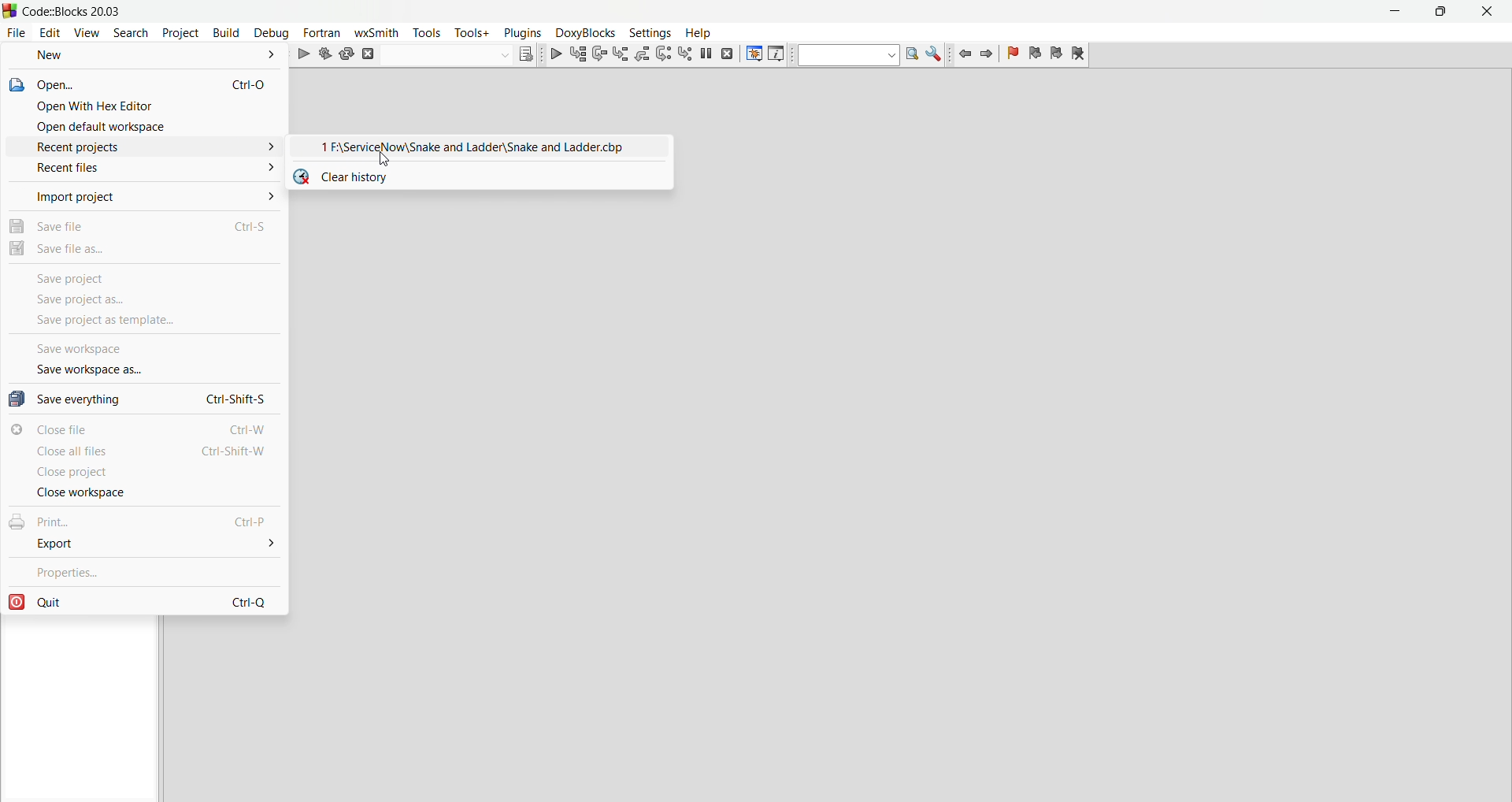 The height and width of the screenshot is (802, 1512). What do you see at coordinates (848, 55) in the screenshot?
I see `text to search` at bounding box center [848, 55].